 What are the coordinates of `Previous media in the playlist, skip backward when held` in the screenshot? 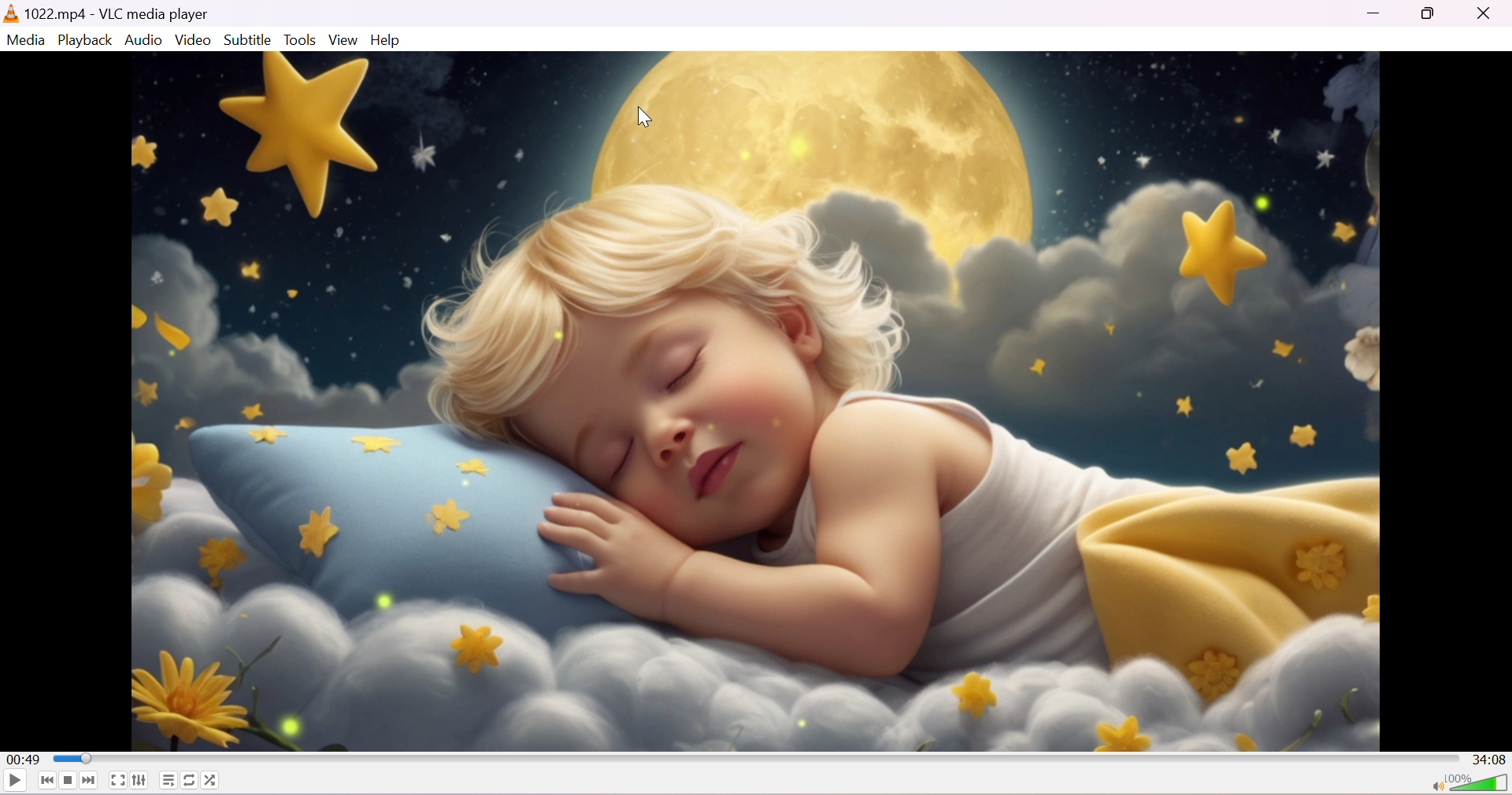 It's located at (46, 781).